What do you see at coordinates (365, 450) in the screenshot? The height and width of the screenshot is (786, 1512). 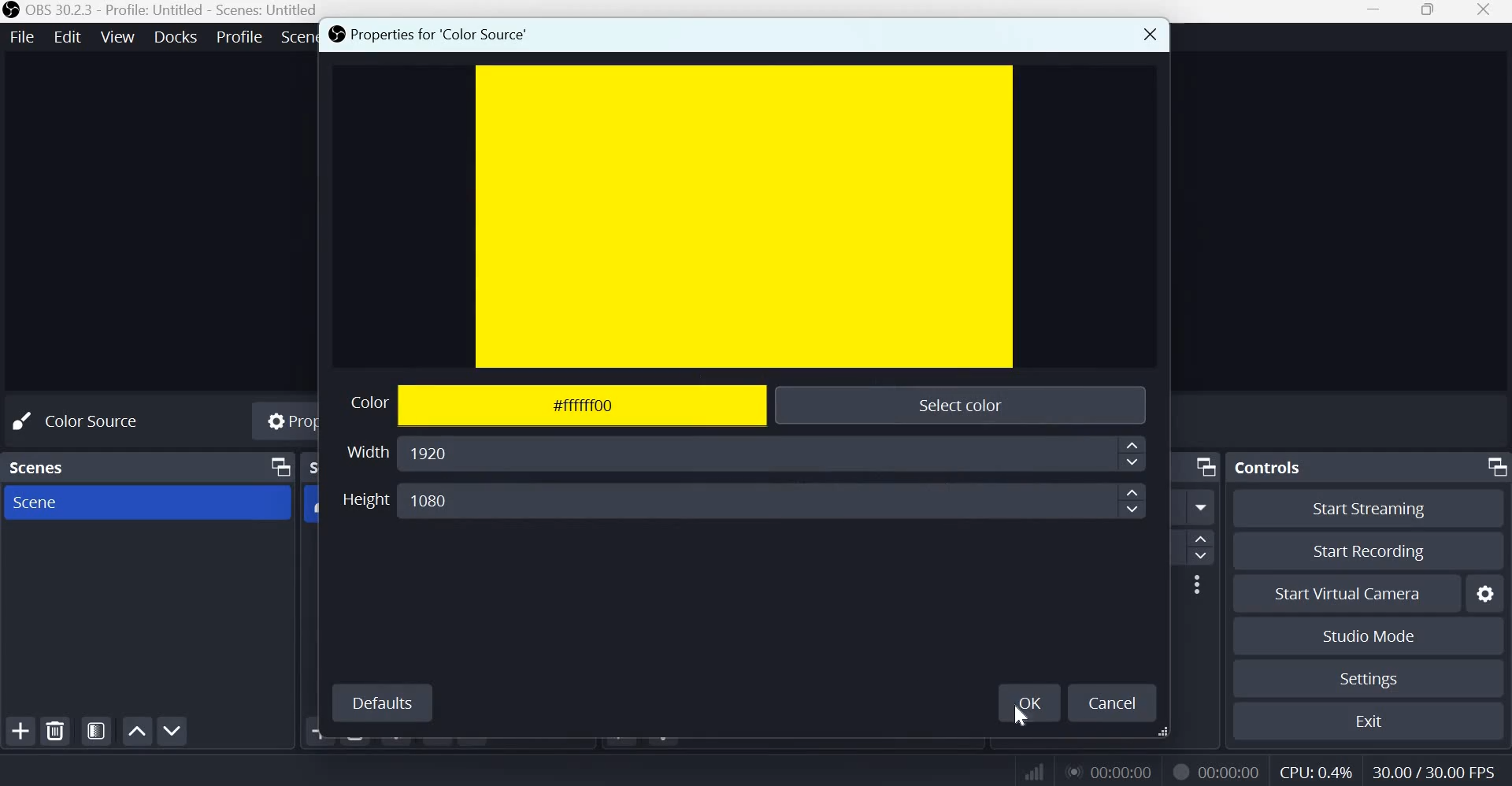 I see `Width` at bounding box center [365, 450].